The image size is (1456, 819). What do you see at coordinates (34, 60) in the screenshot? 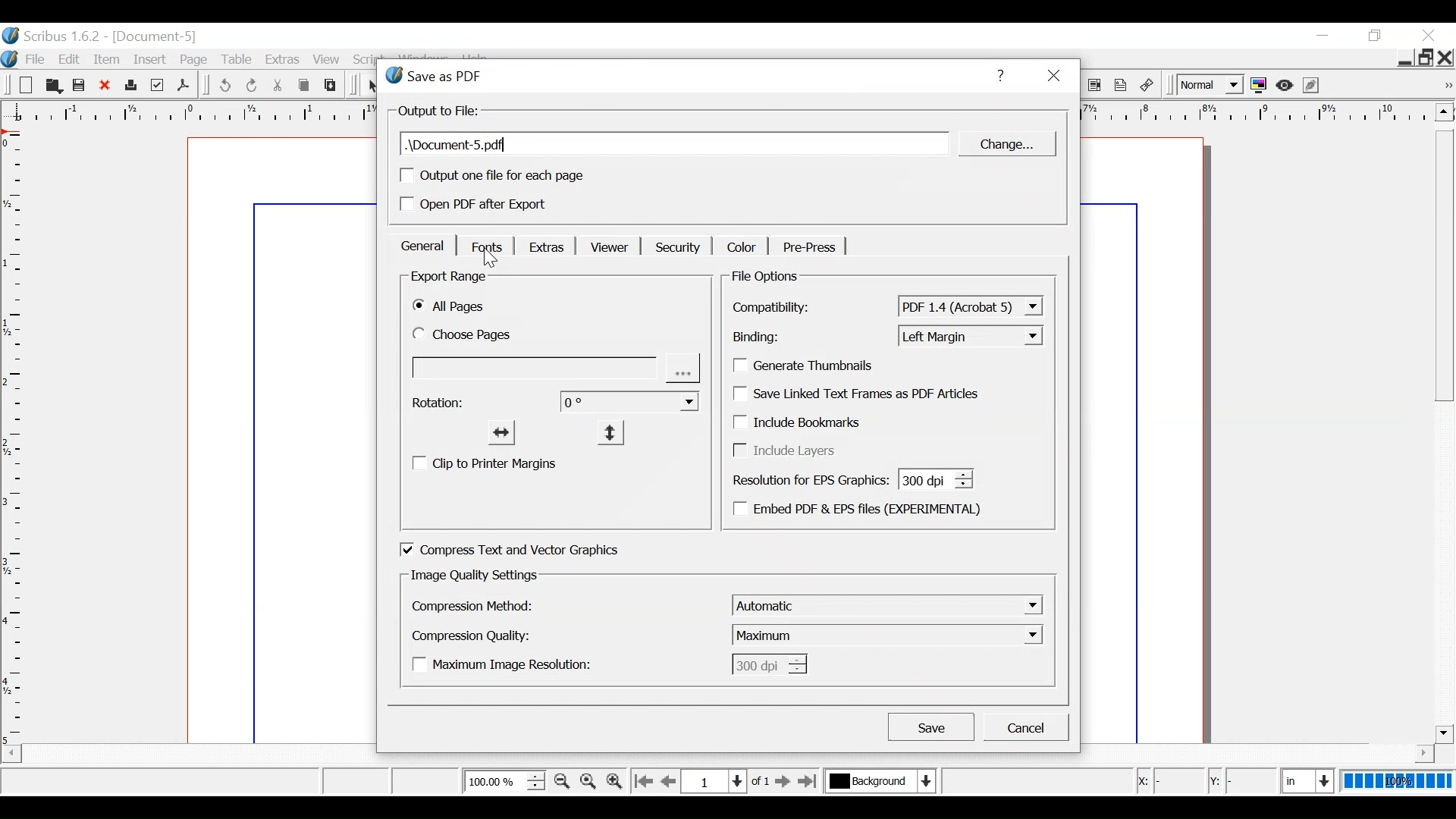
I see `File` at bounding box center [34, 60].